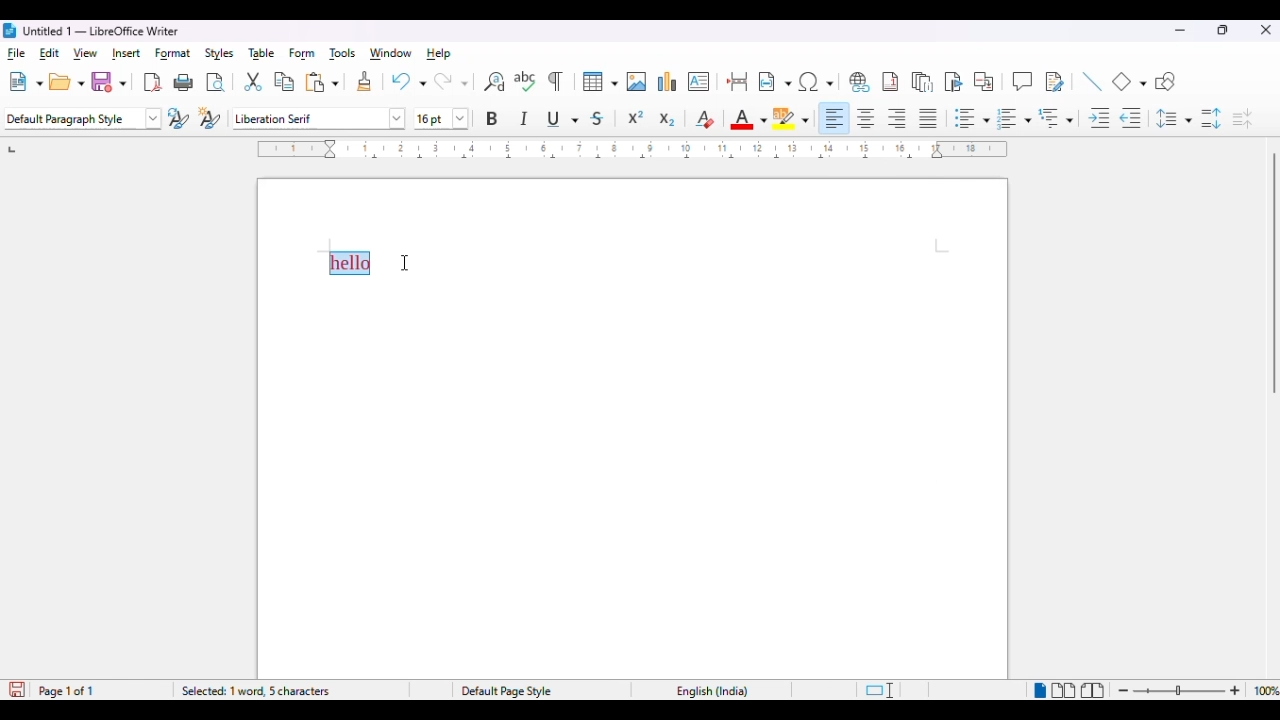 This screenshot has width=1280, height=720. I want to click on bold, so click(493, 118).